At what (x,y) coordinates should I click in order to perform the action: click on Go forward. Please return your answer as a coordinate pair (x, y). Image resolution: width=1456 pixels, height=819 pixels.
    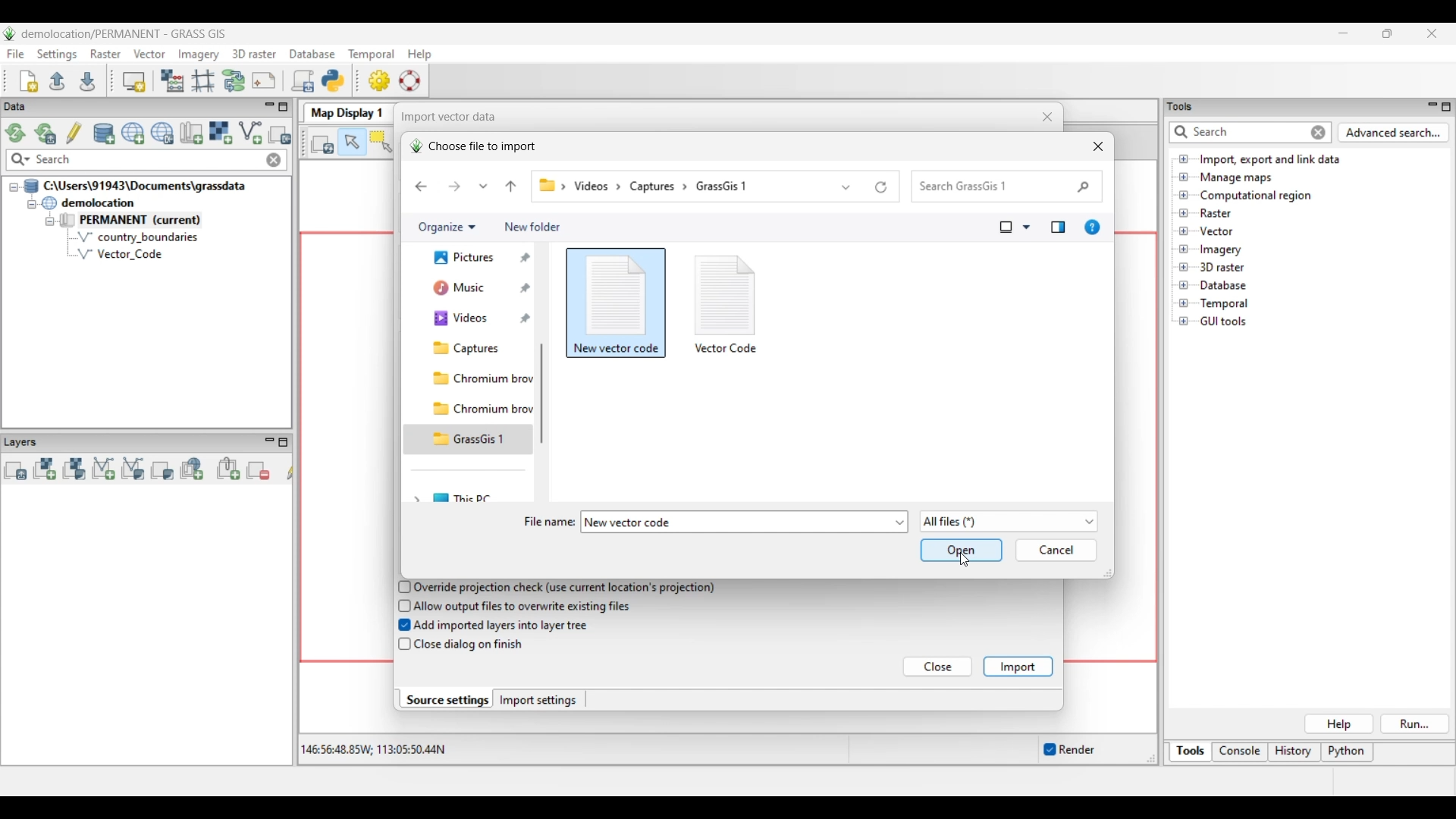
    Looking at the image, I should click on (454, 186).